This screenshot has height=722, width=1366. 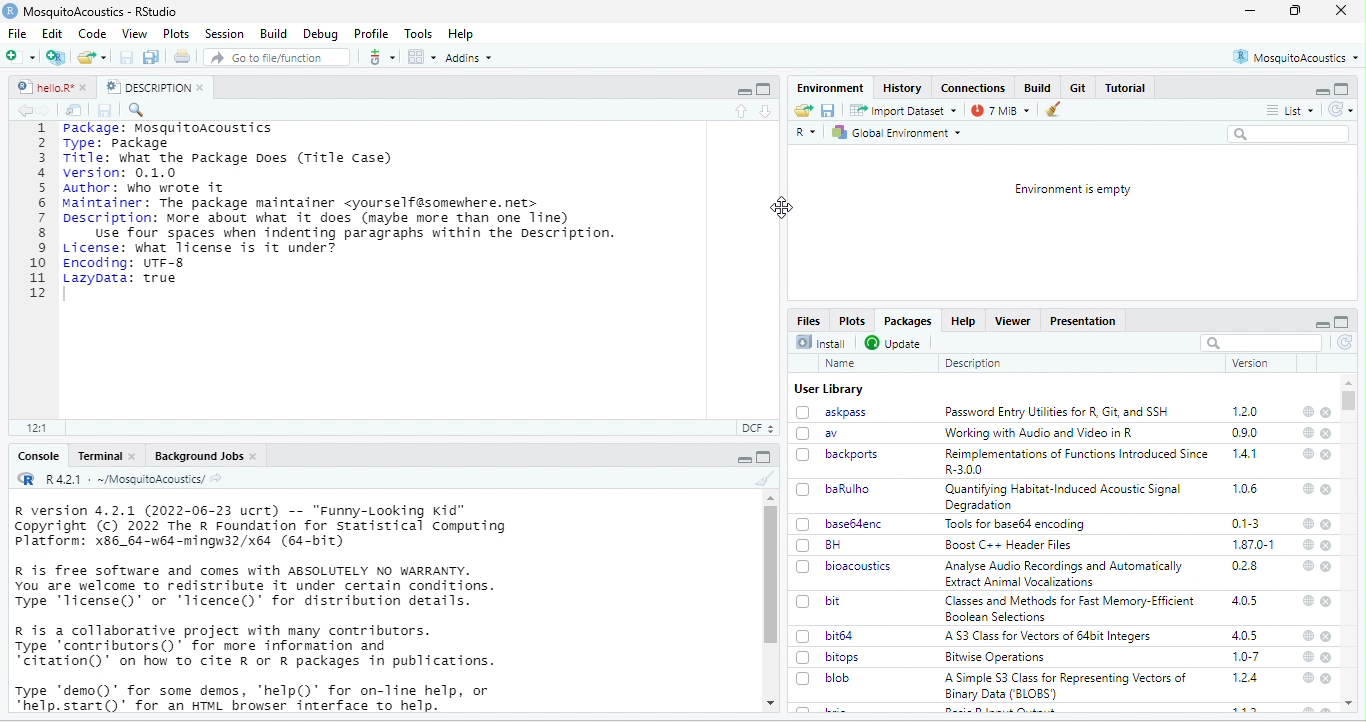 What do you see at coordinates (1125, 88) in the screenshot?
I see `Tutorial` at bounding box center [1125, 88].